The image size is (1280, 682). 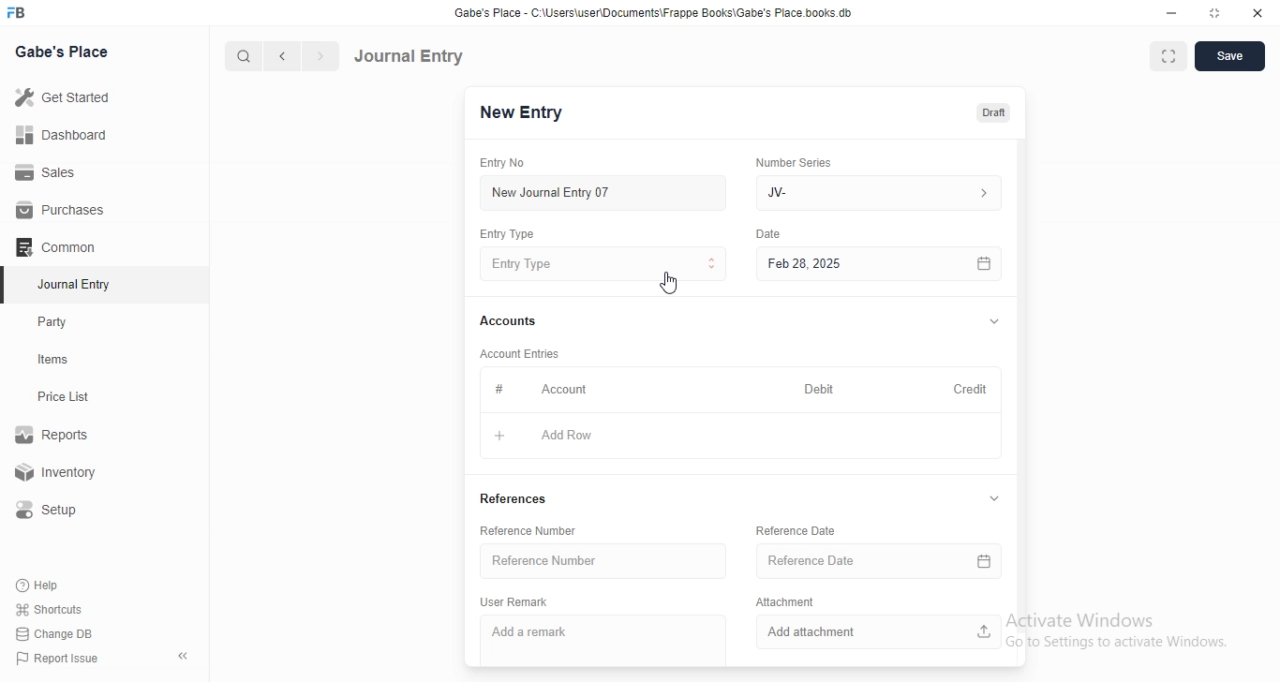 What do you see at coordinates (883, 193) in the screenshot?
I see `JV-` at bounding box center [883, 193].